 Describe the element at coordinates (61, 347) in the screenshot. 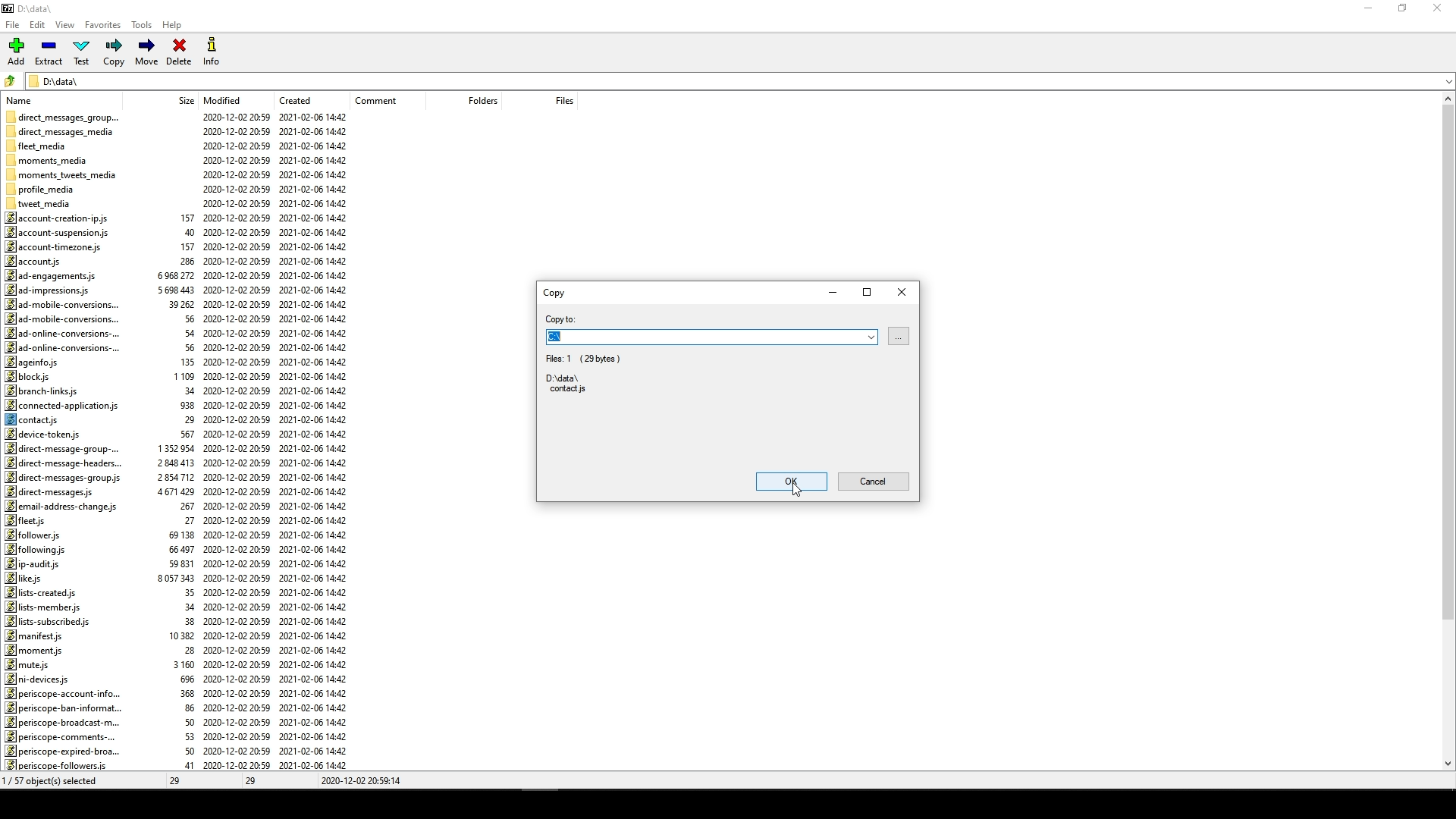

I see `ad-online-conversions` at that location.